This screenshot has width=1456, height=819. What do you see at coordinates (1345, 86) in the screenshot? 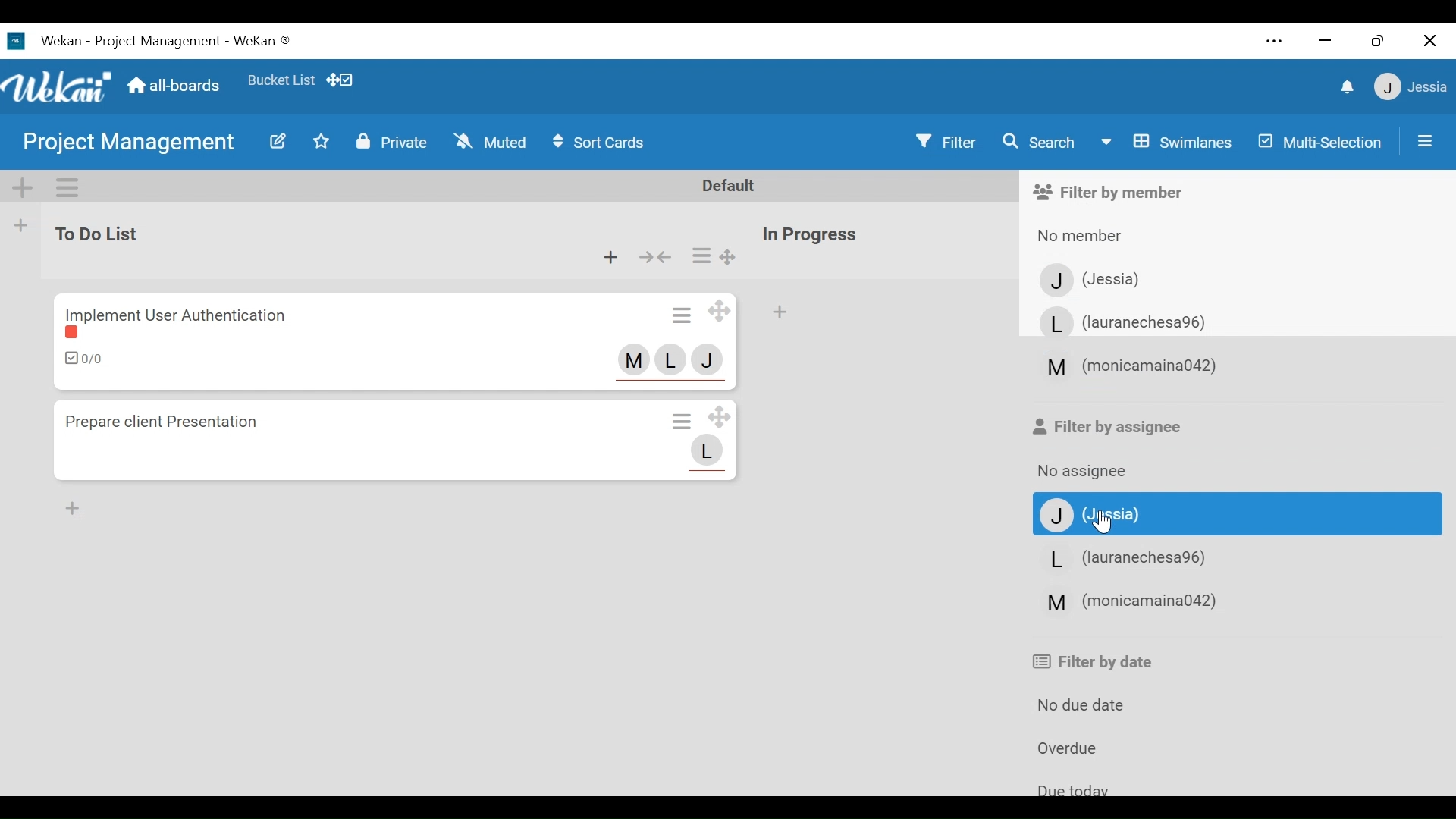
I see `notifications` at bounding box center [1345, 86].